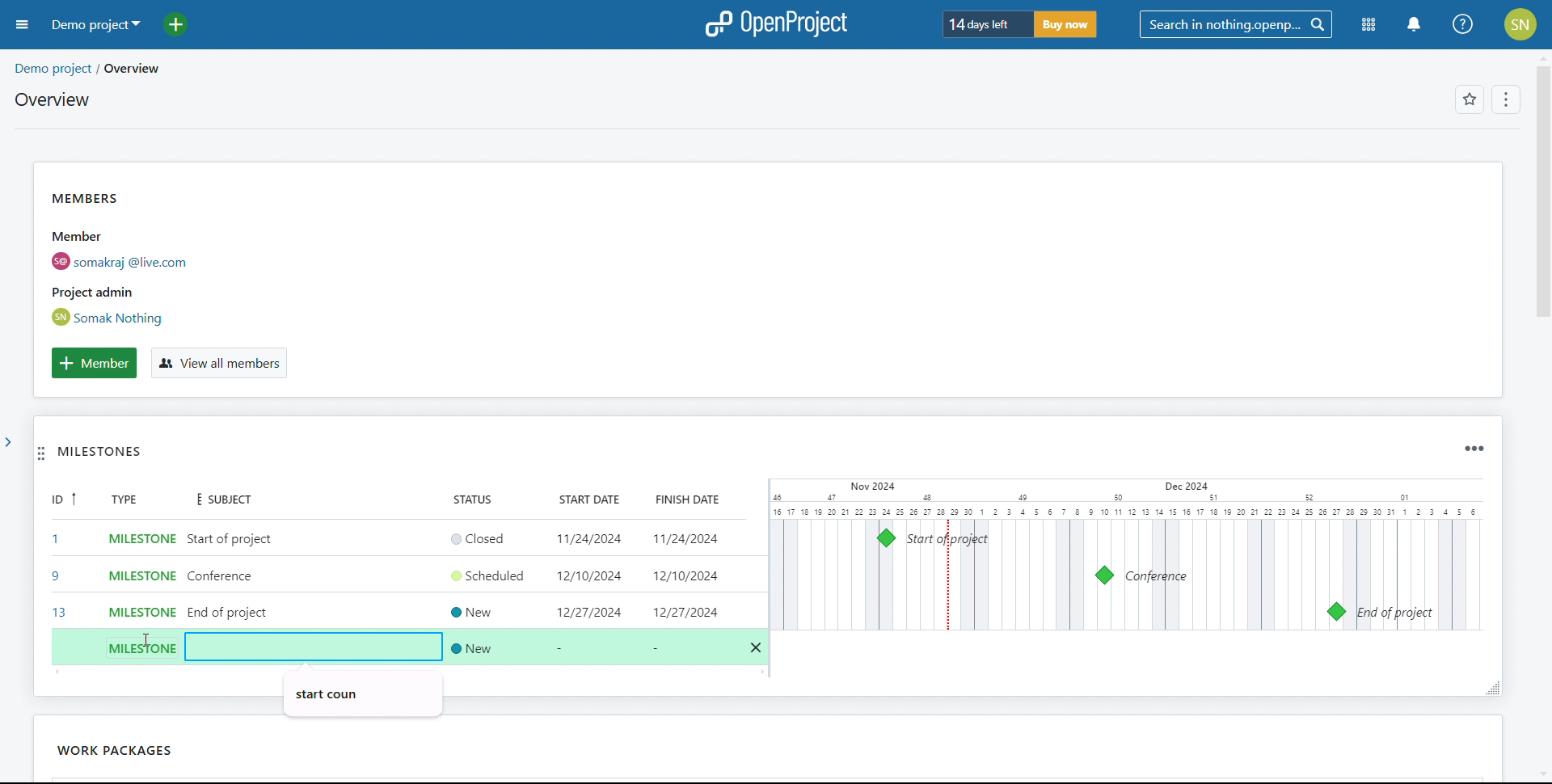 The width and height of the screenshot is (1552, 784). Describe the element at coordinates (120, 456) in the screenshot. I see `MILESTONES` at that location.